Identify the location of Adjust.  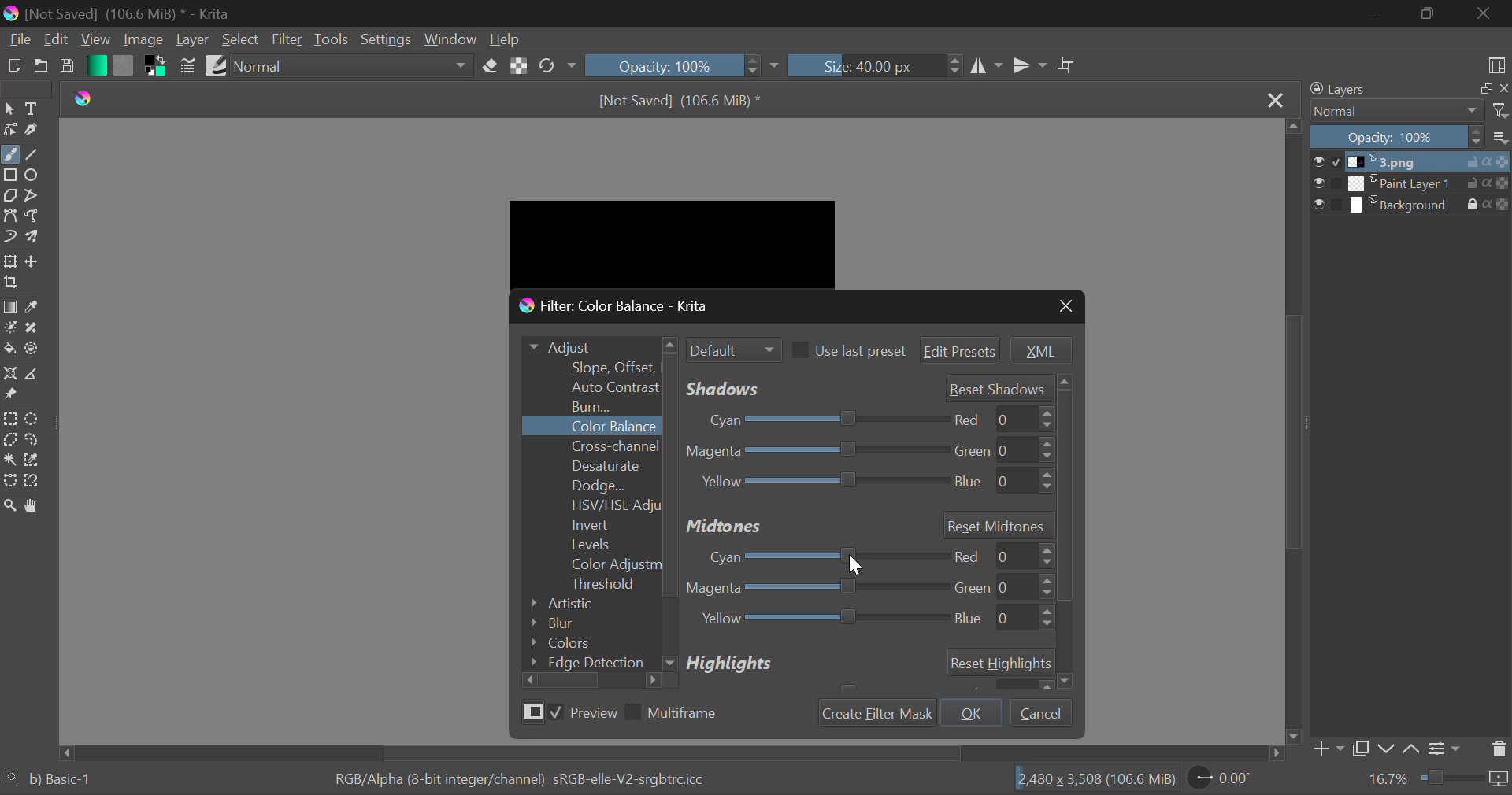
(597, 348).